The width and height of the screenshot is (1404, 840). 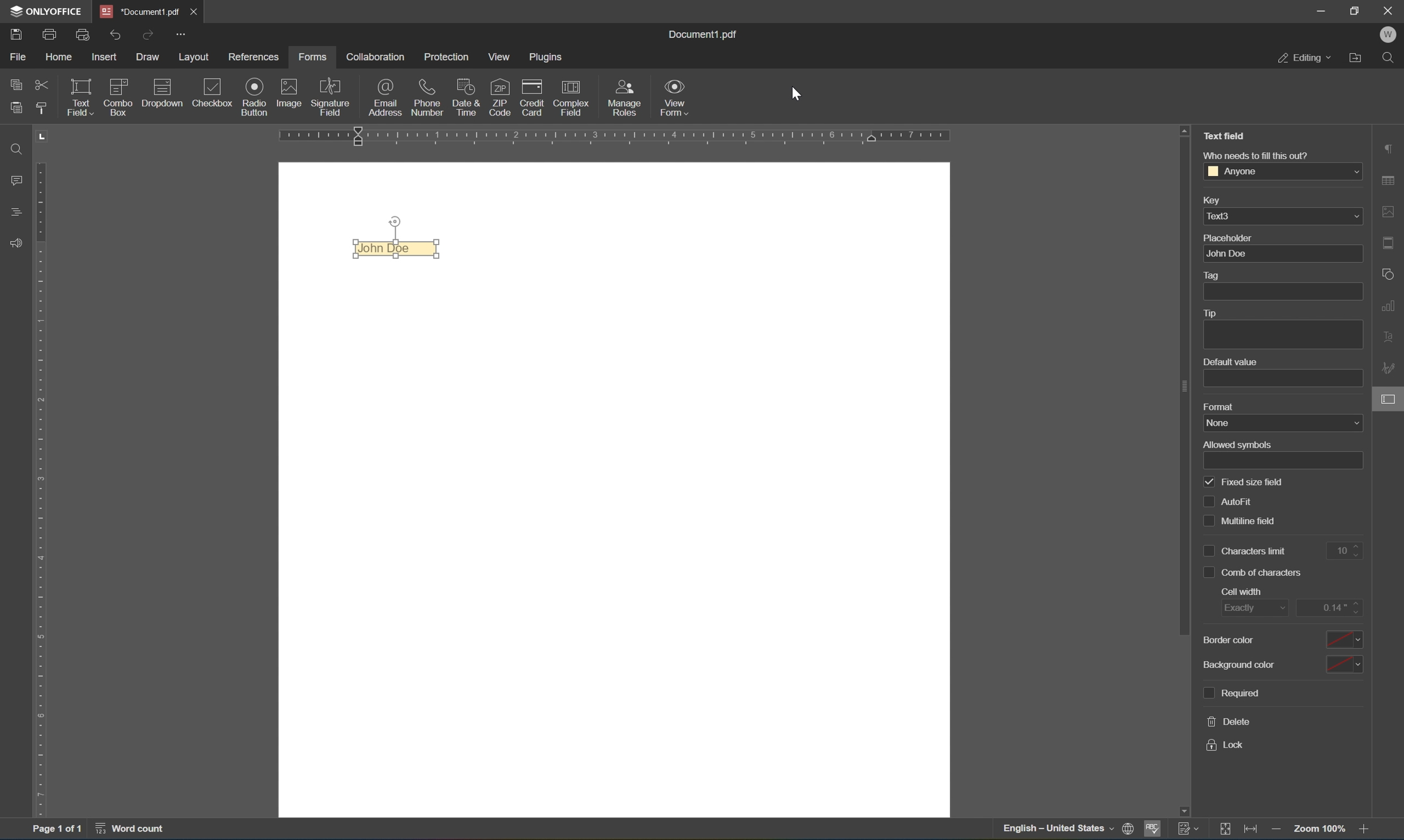 I want to click on home, so click(x=59, y=58).